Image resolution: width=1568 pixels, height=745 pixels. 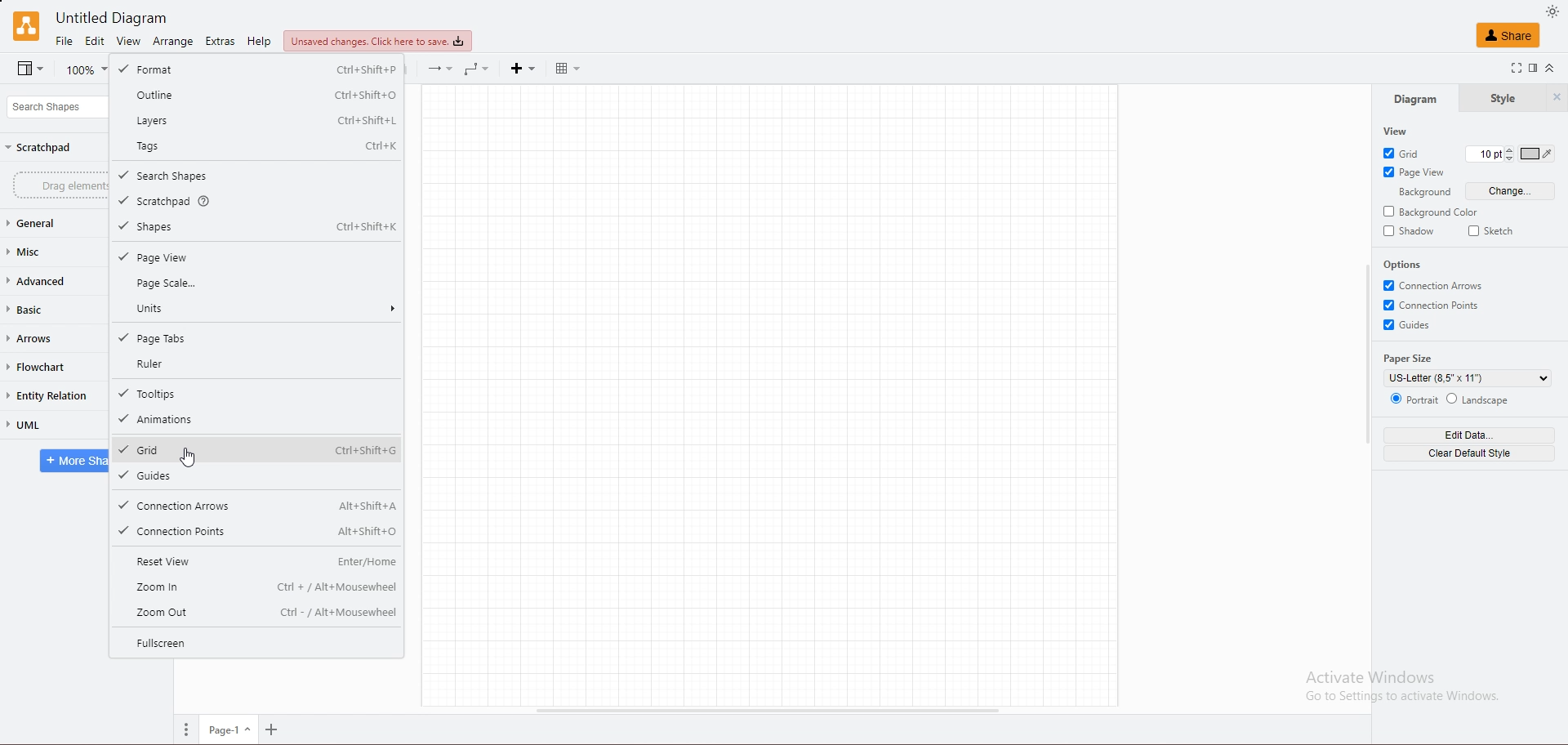 I want to click on shapes                 Ctrl+Shift+K, so click(x=256, y=227).